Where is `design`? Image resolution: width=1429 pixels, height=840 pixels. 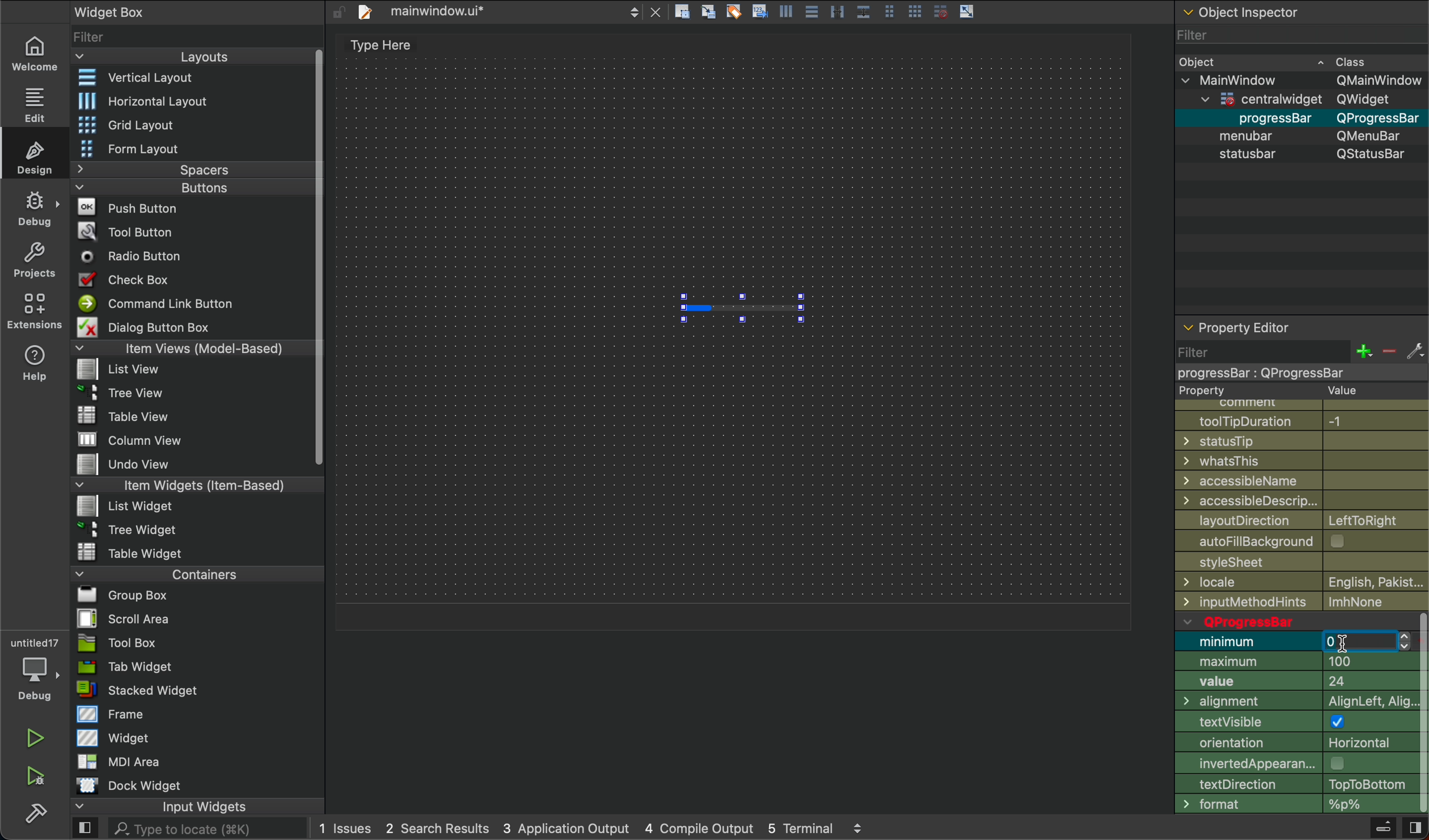
design is located at coordinates (37, 156).